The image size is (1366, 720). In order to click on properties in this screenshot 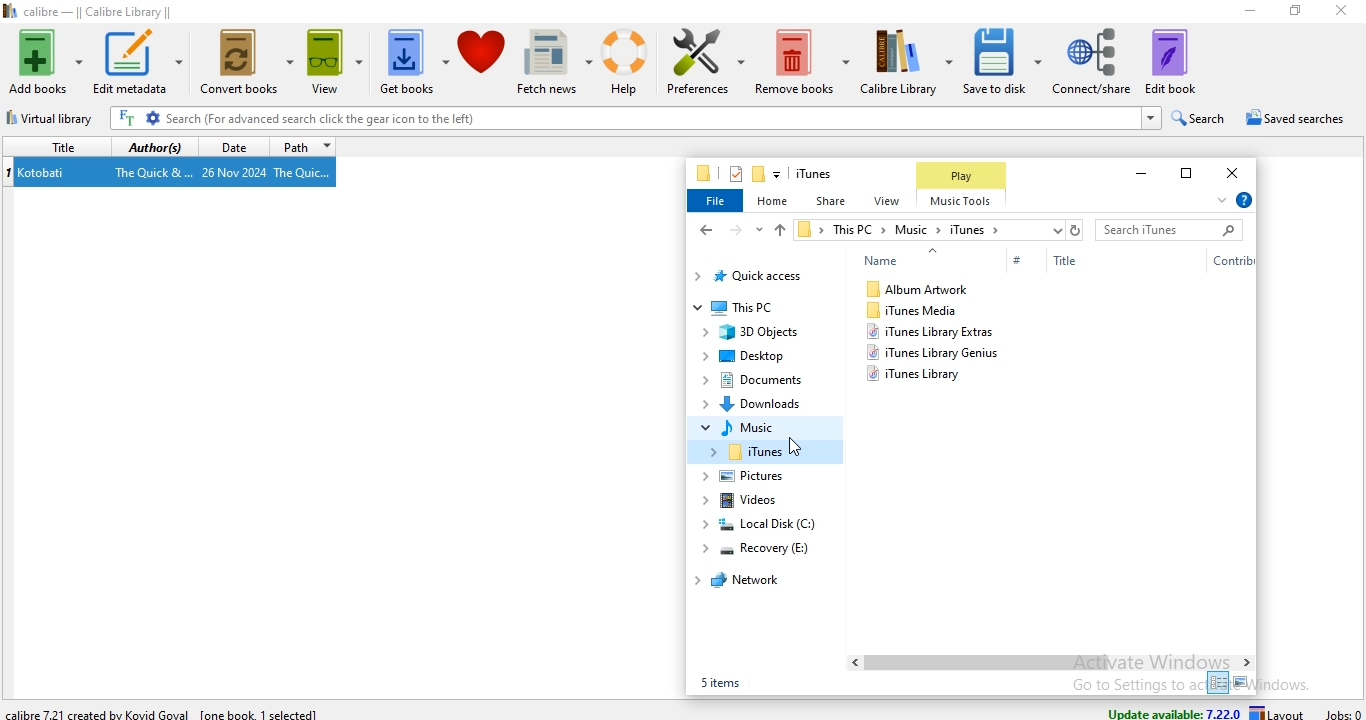, I will do `click(734, 173)`.